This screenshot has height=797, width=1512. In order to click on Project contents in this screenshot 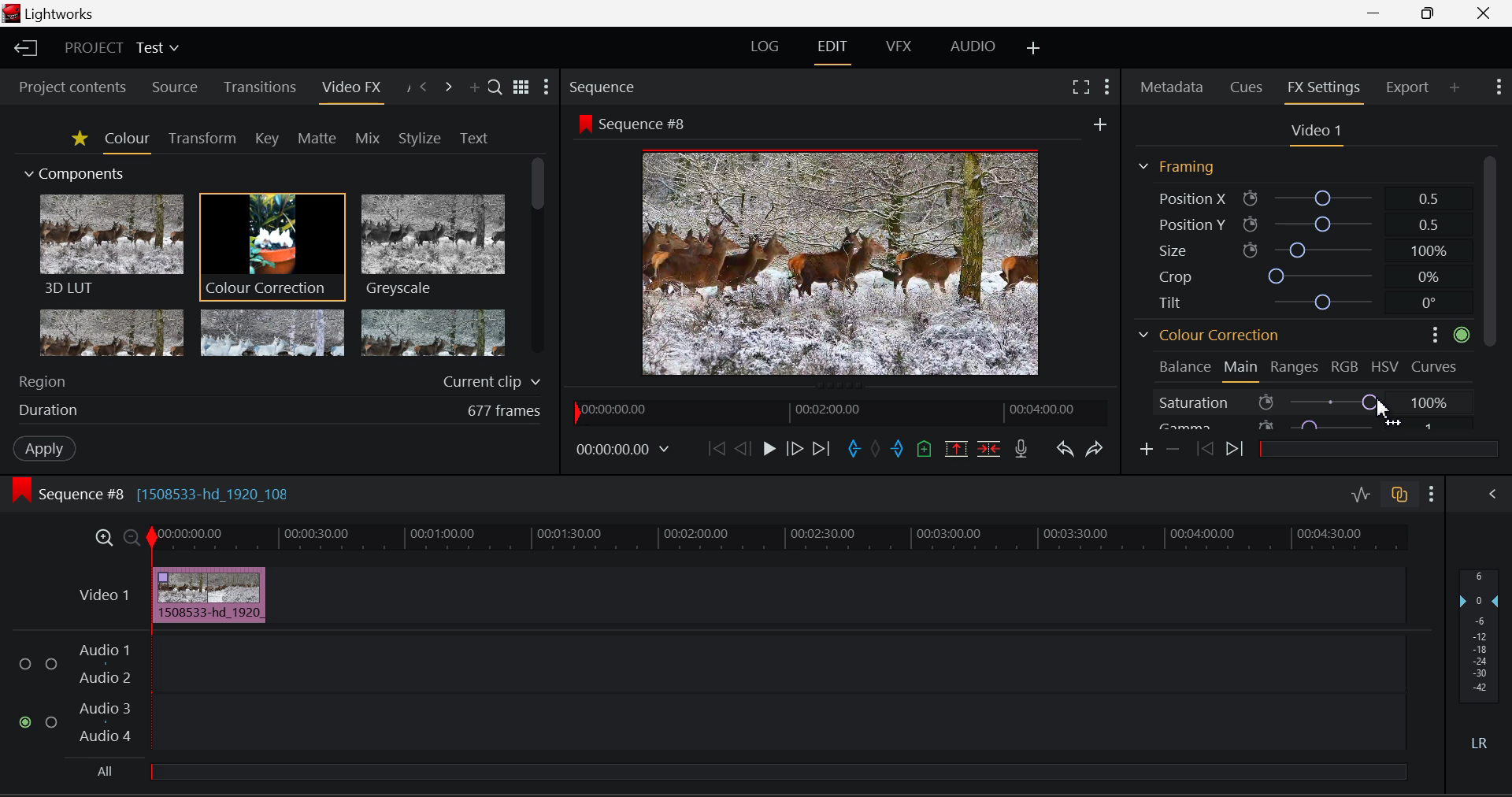, I will do `click(67, 86)`.